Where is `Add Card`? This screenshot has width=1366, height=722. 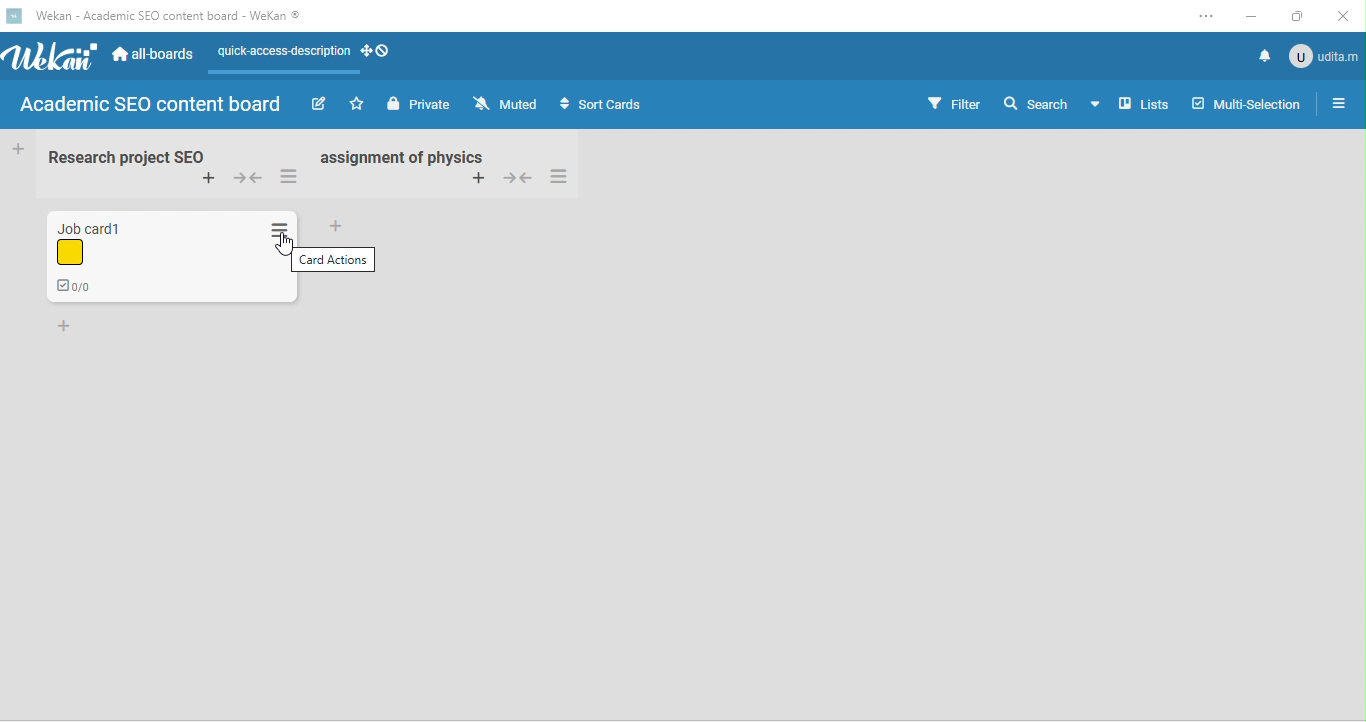 Add Card is located at coordinates (17, 148).